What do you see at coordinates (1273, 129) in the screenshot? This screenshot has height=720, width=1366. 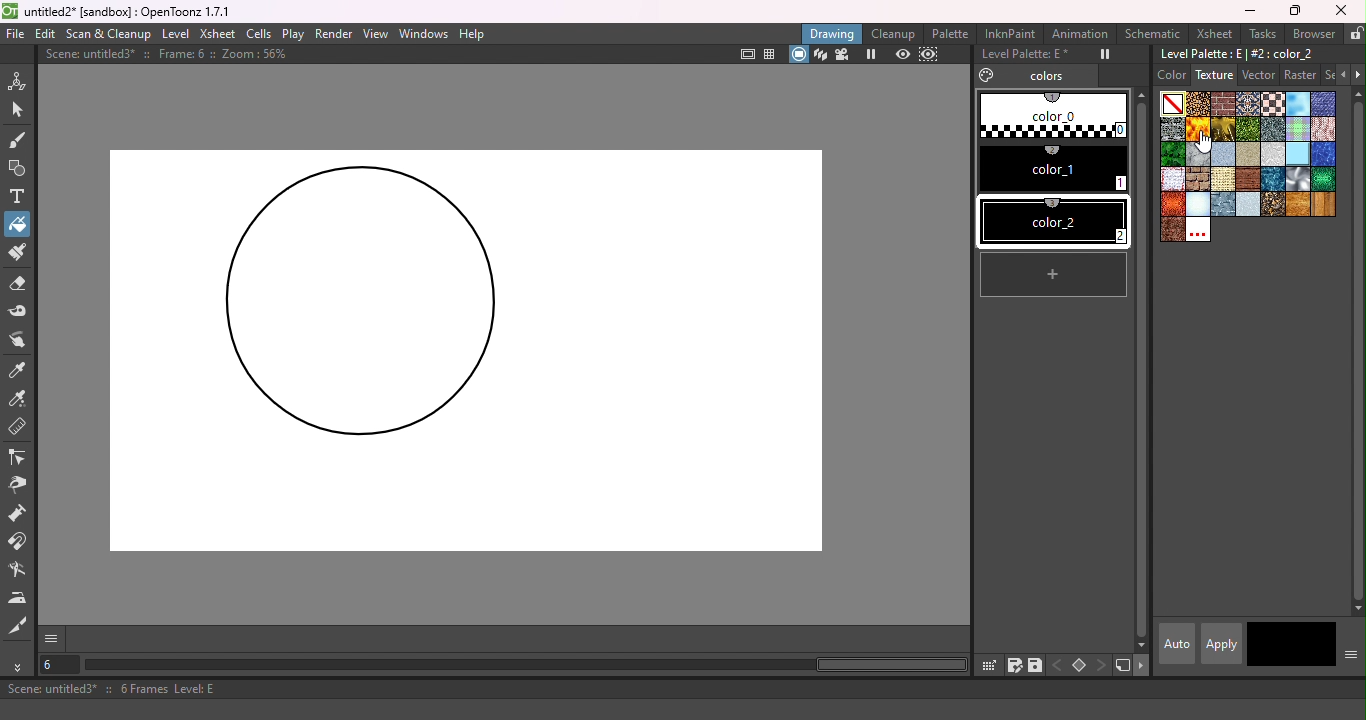 I see `Ironware.bmp` at bounding box center [1273, 129].